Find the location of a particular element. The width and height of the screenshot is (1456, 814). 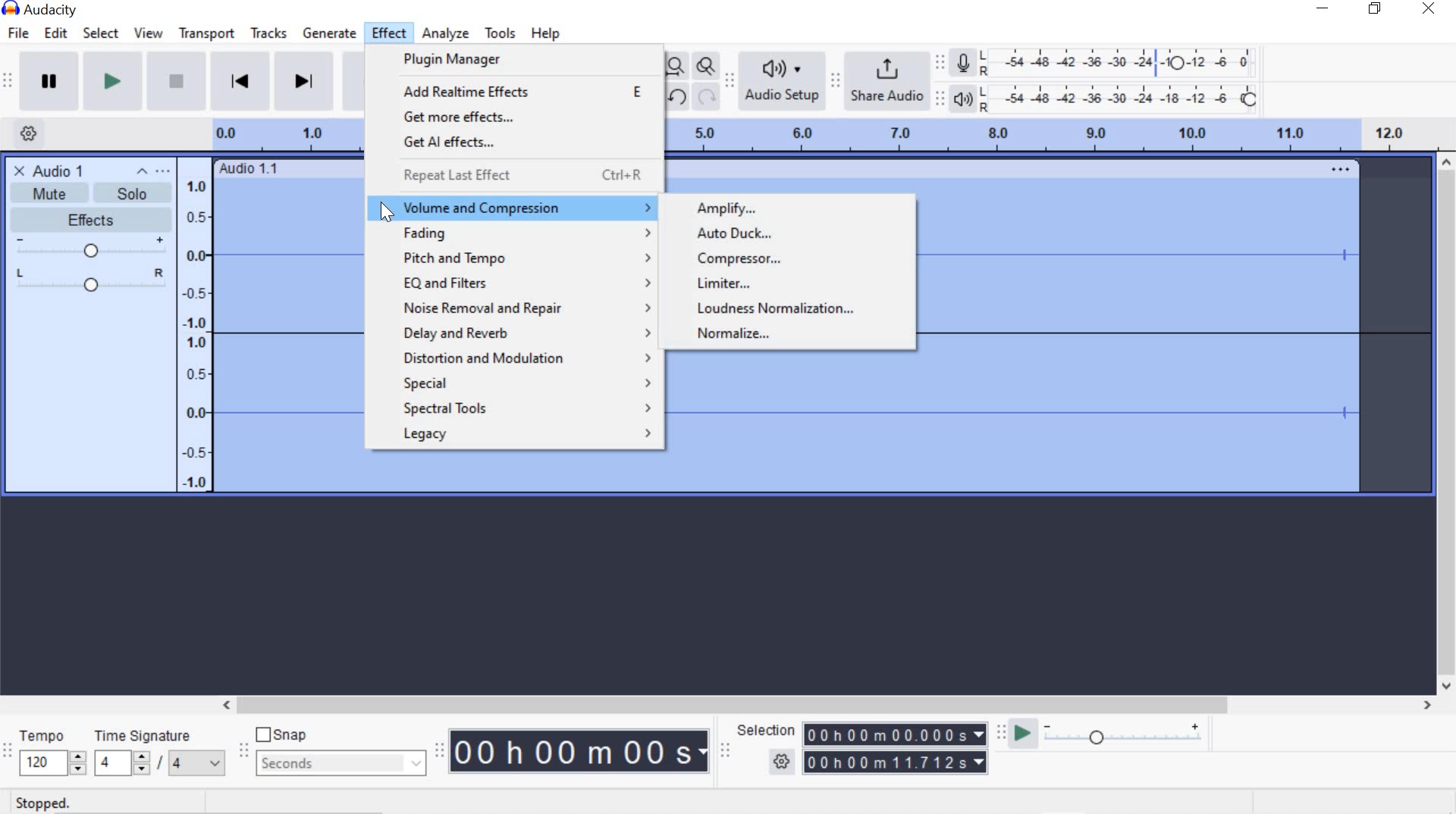

Auto Duck is located at coordinates (741, 233).